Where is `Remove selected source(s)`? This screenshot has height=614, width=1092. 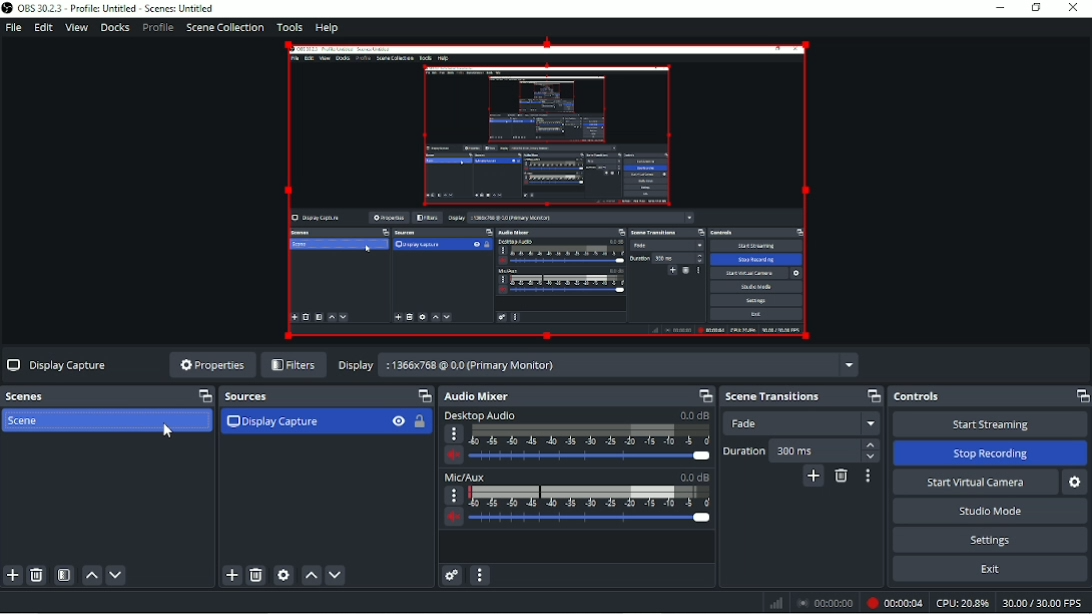
Remove selected source(s) is located at coordinates (256, 576).